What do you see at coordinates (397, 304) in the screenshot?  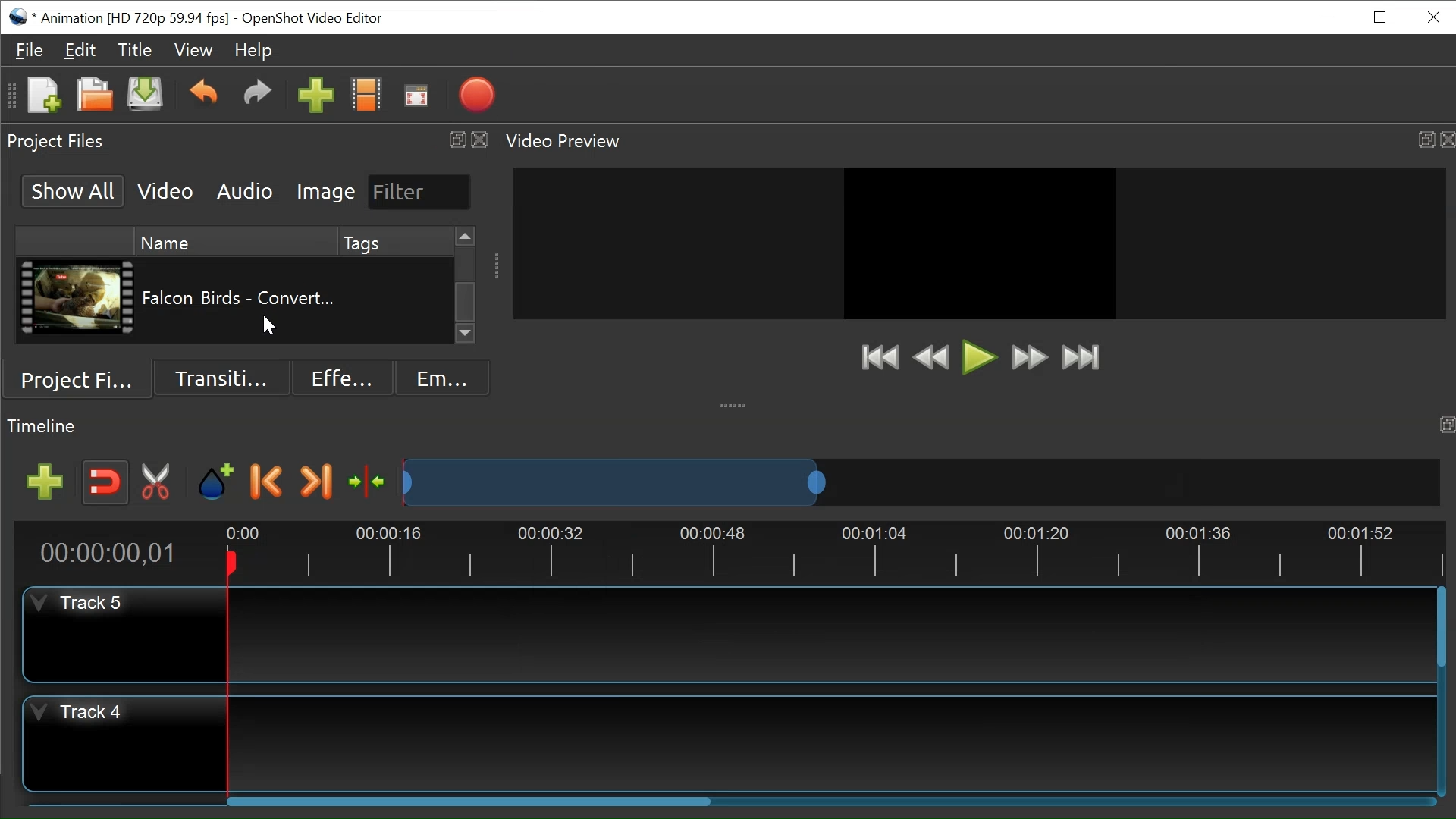 I see `Tags` at bounding box center [397, 304].